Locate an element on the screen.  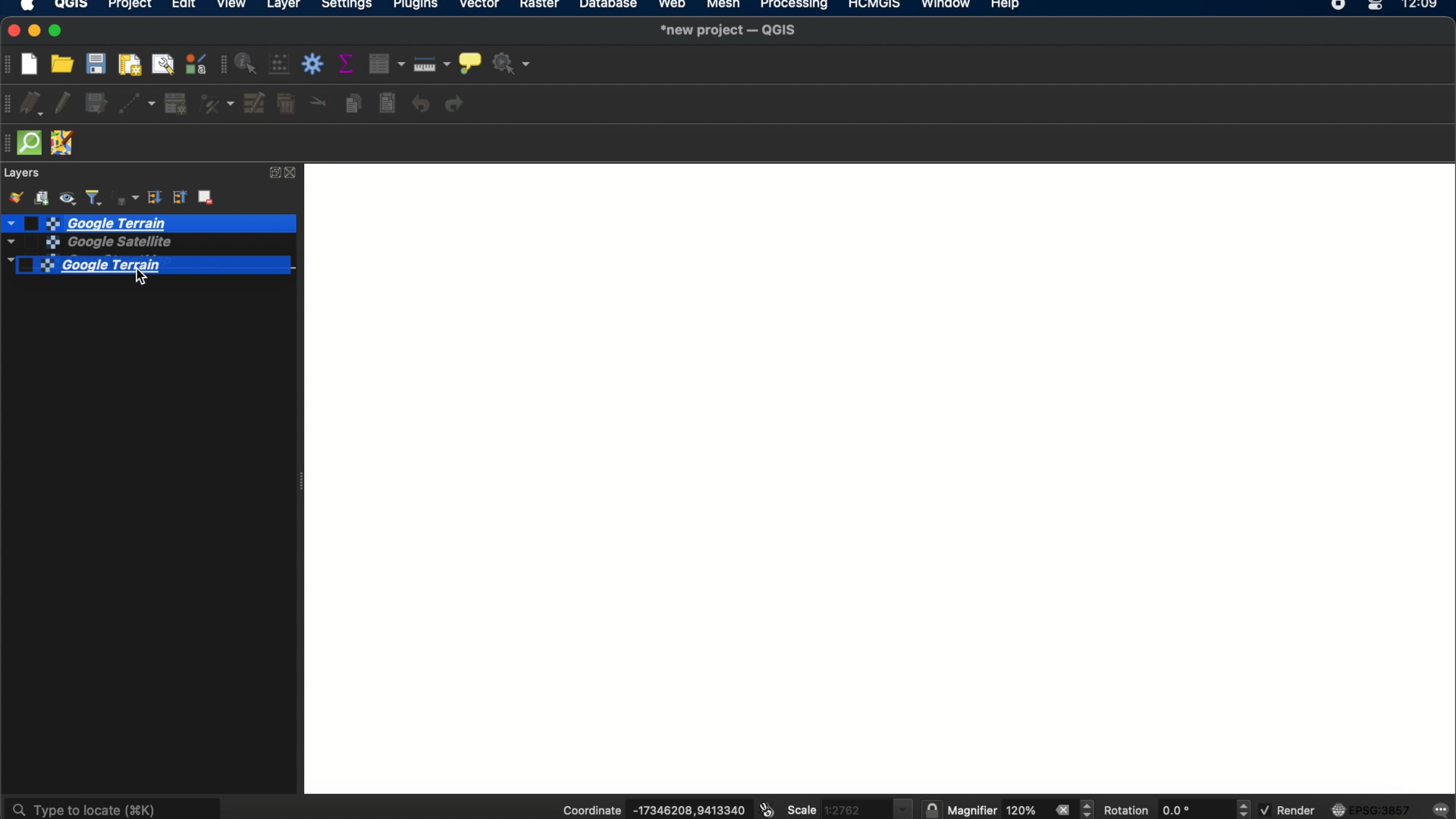
copy features is located at coordinates (353, 103).